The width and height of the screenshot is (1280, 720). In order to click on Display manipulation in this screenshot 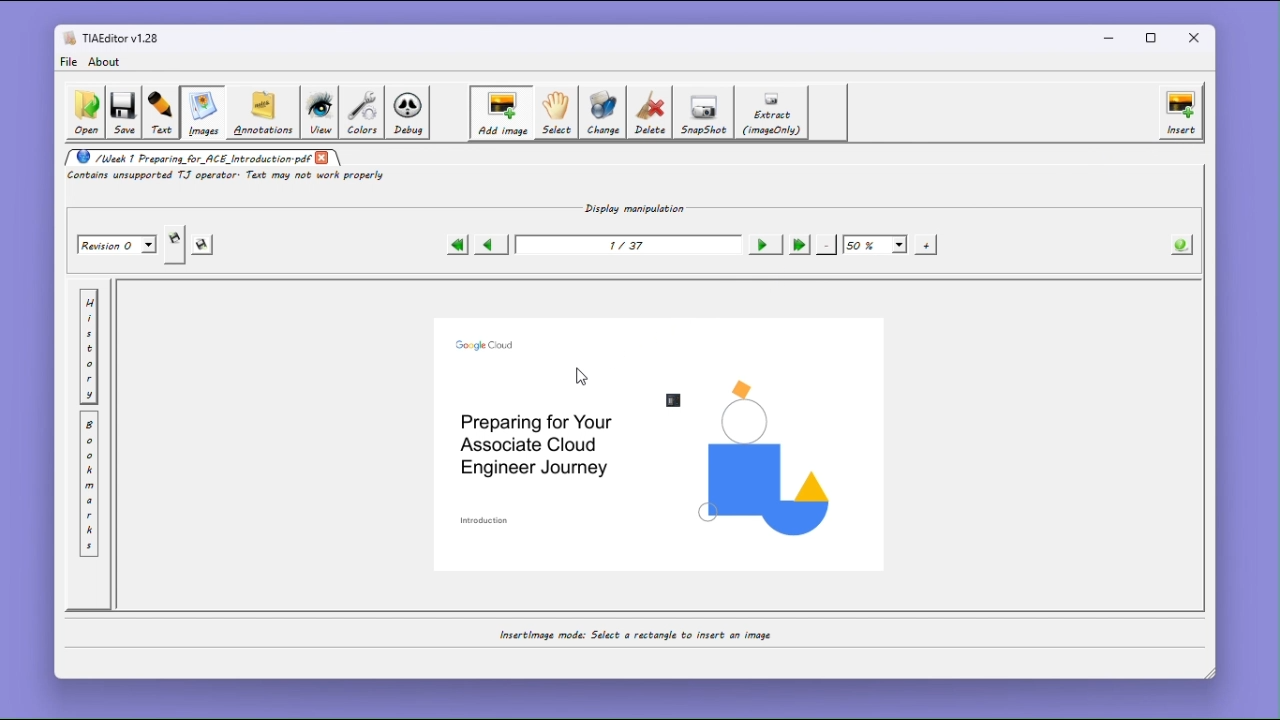, I will do `click(629, 207)`.